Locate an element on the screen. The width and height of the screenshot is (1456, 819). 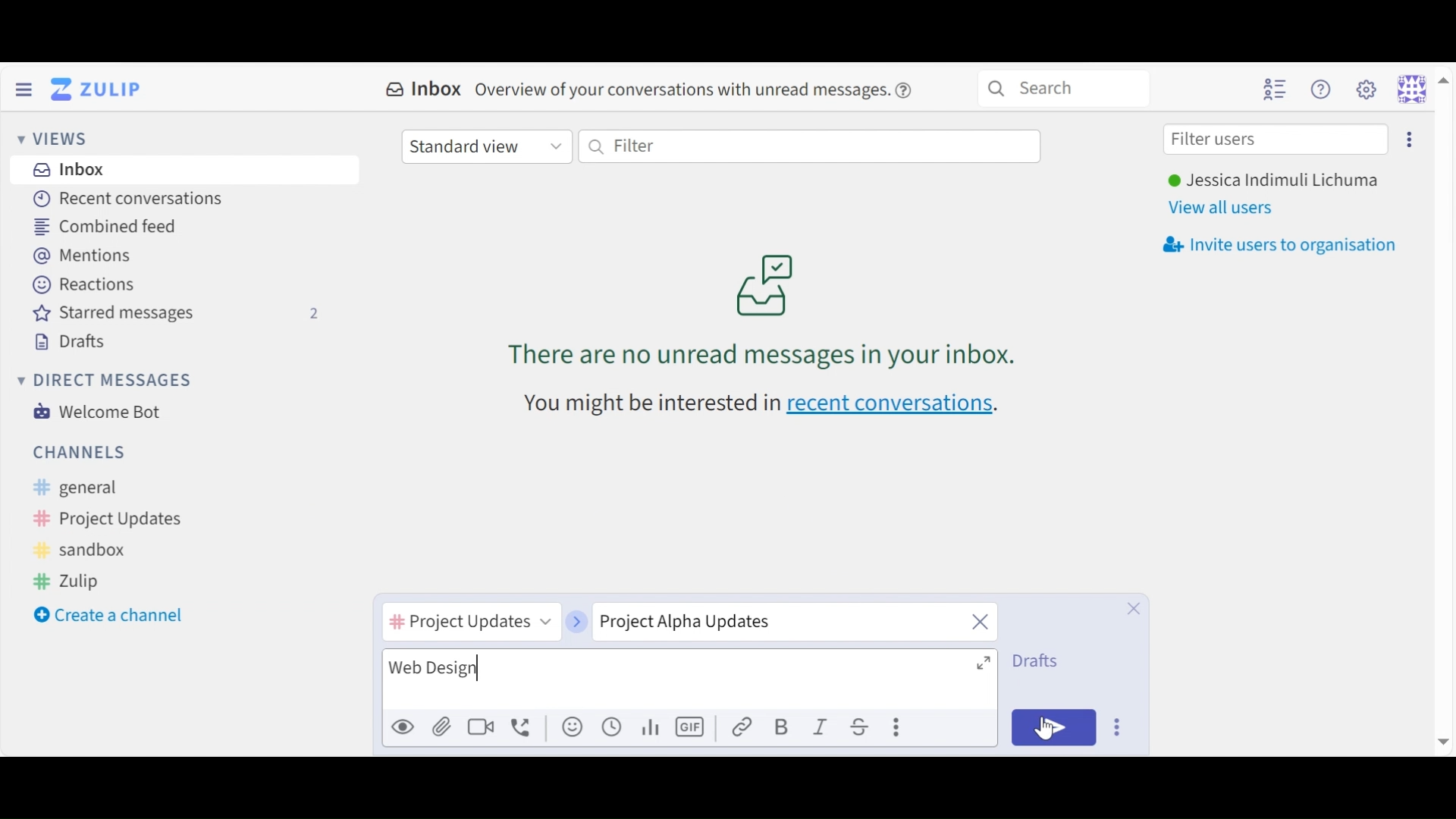
Invite users too organisation is located at coordinates (1408, 138).